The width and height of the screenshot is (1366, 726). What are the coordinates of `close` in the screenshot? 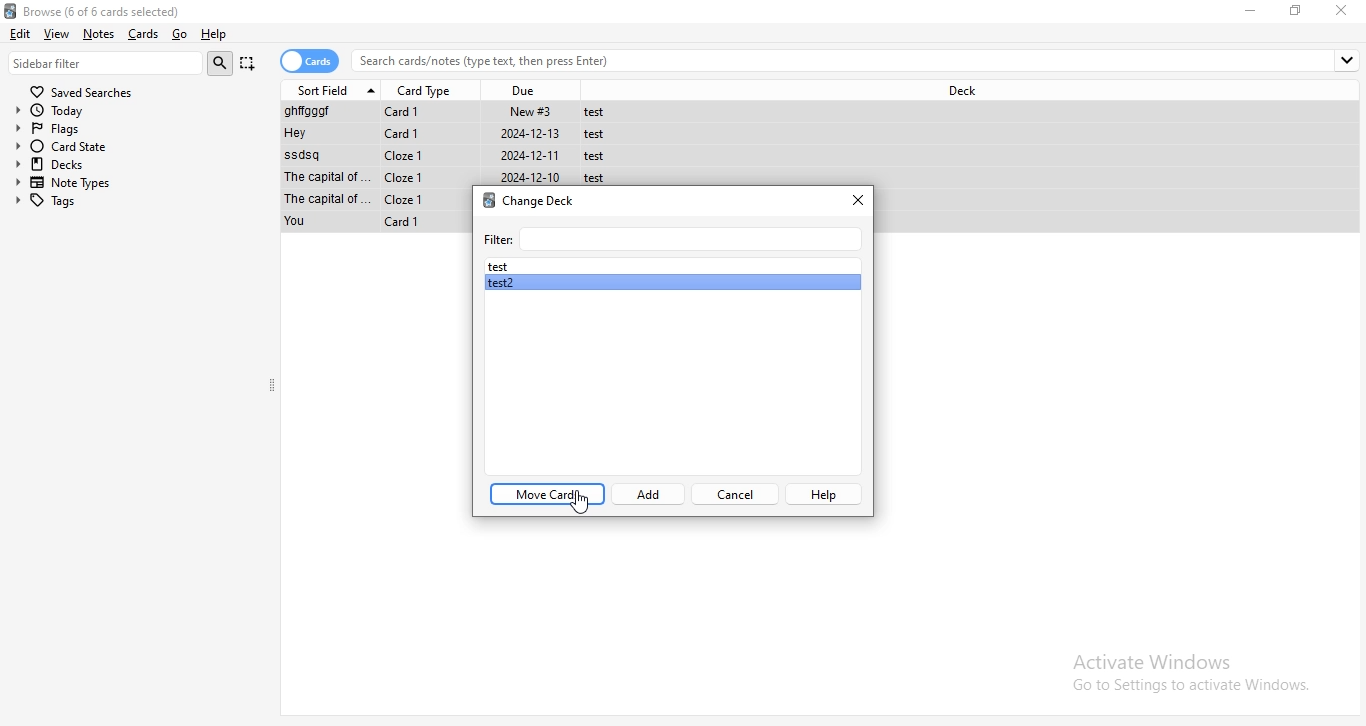 It's located at (1343, 11).